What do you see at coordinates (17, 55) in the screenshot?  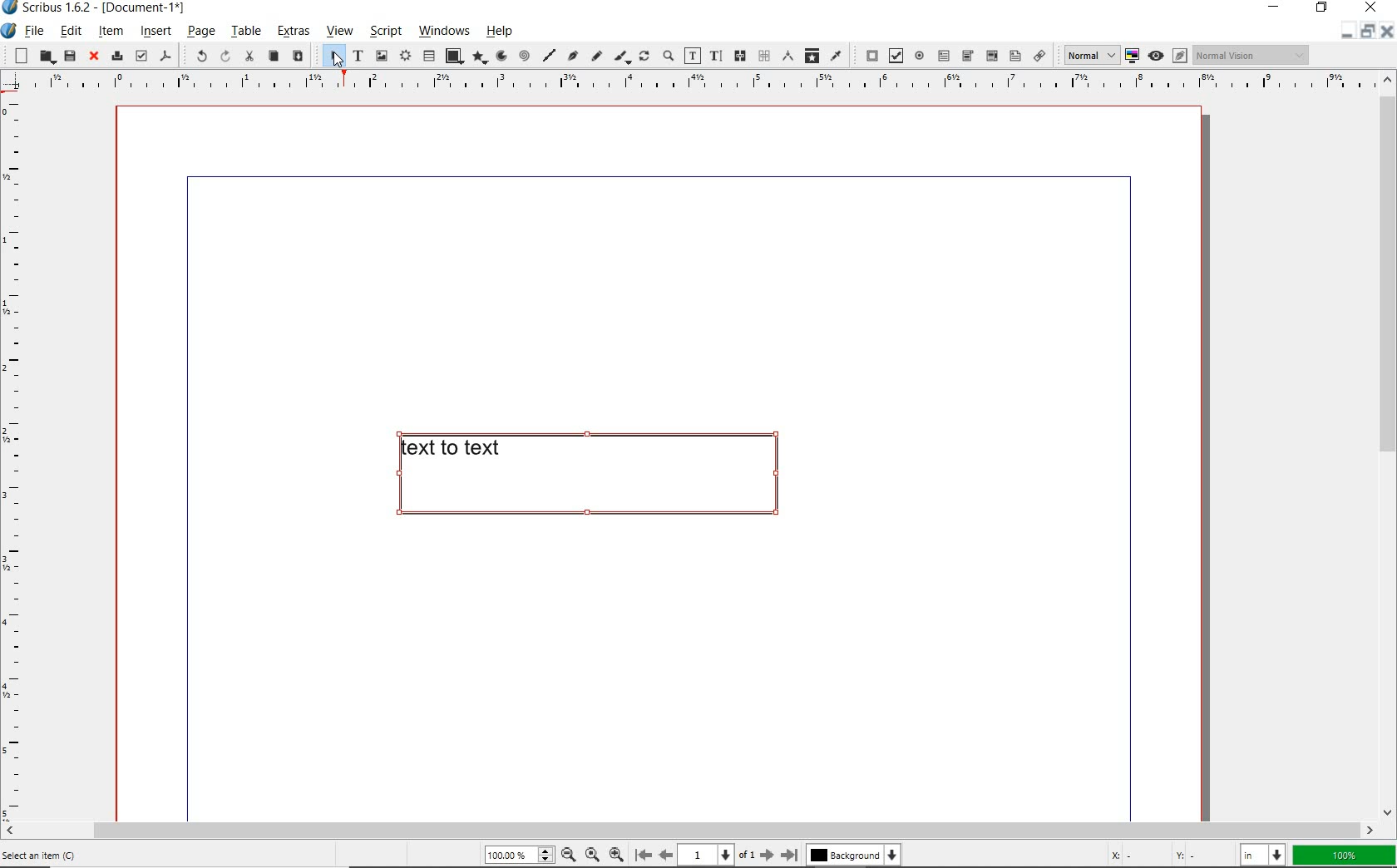 I see `new` at bounding box center [17, 55].